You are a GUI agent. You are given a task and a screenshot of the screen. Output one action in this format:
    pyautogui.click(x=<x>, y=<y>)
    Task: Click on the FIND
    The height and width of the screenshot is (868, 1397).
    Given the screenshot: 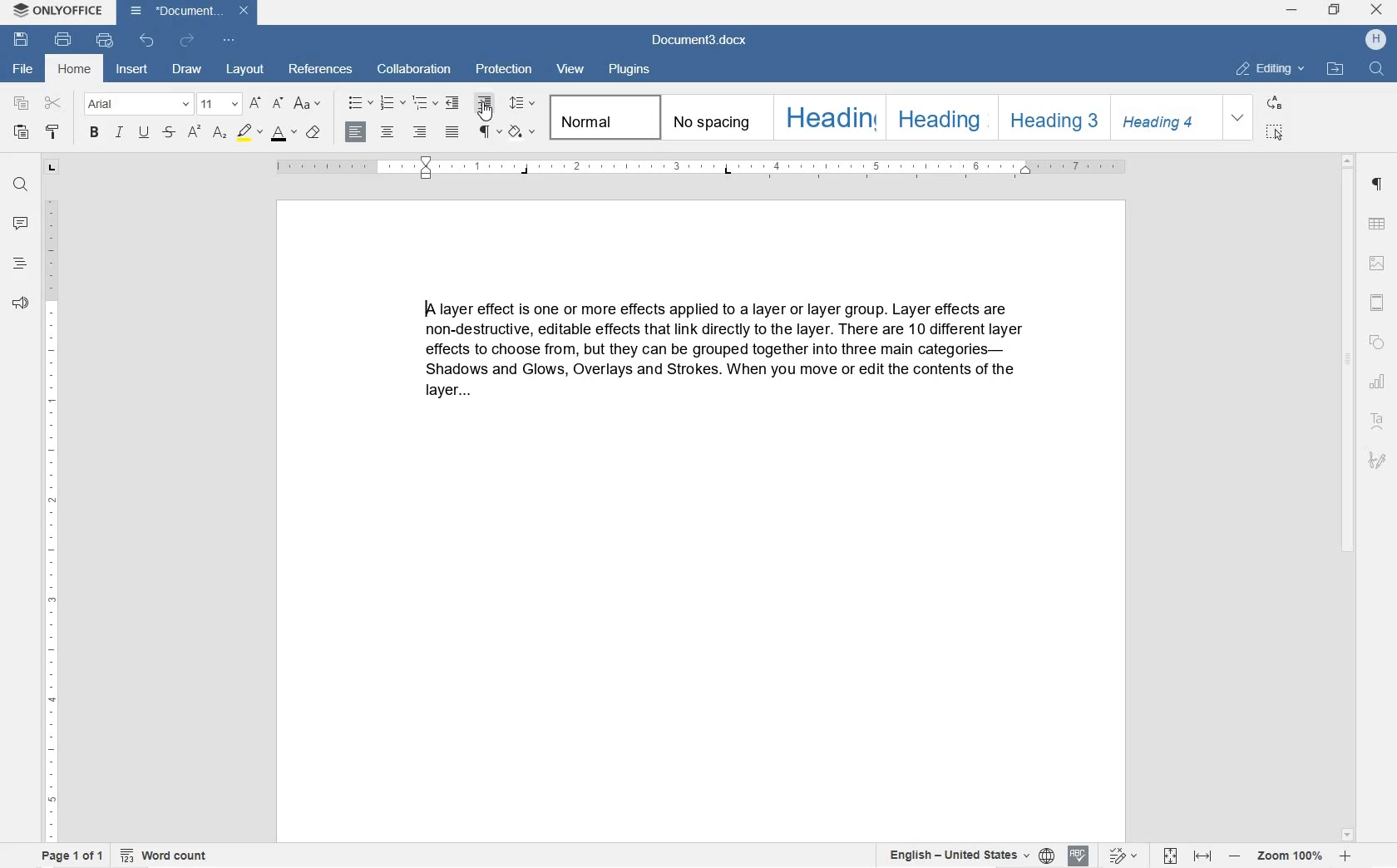 What is the action you would take?
    pyautogui.click(x=1375, y=68)
    